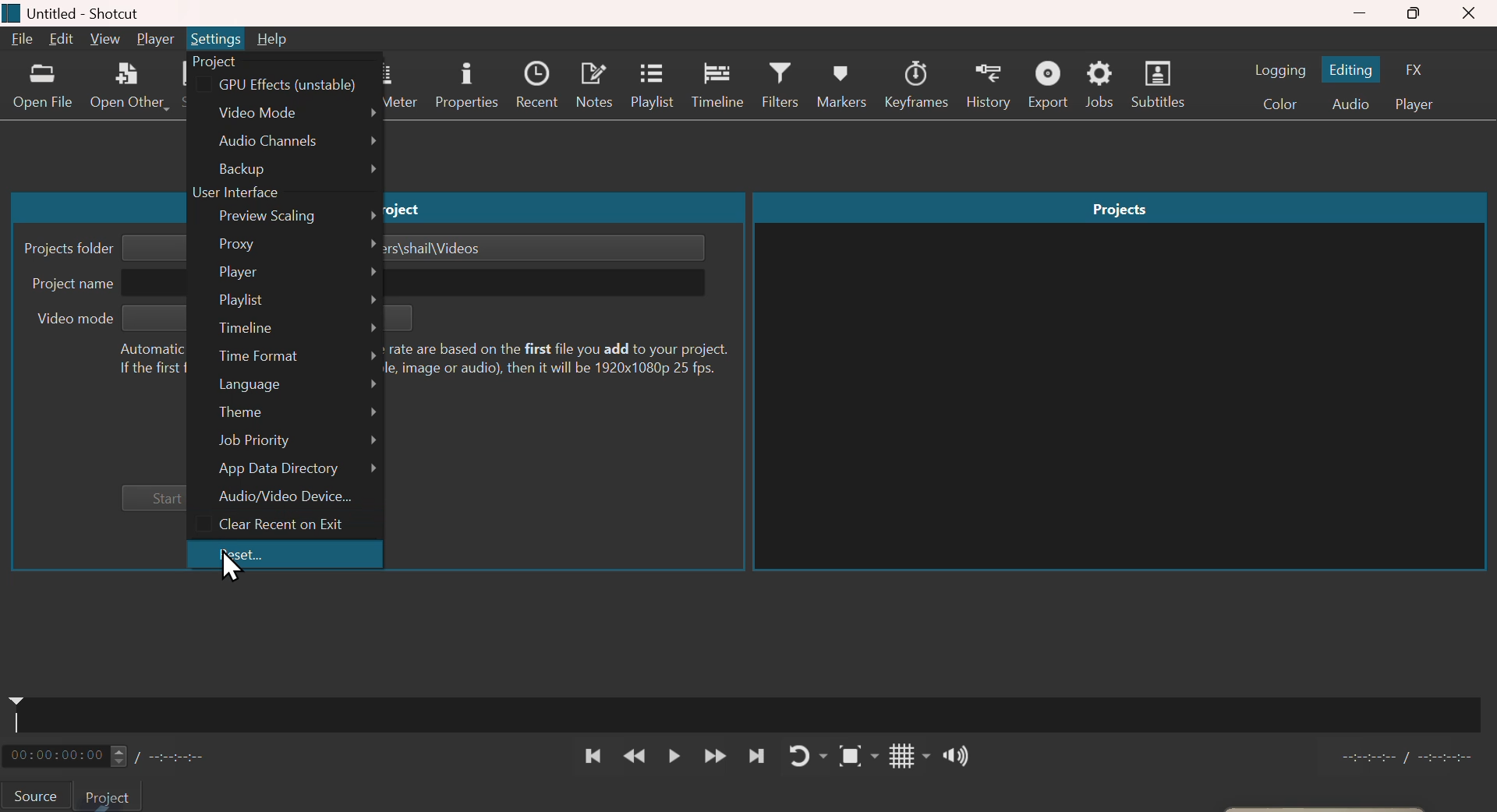 This screenshot has width=1497, height=812. What do you see at coordinates (804, 755) in the screenshot?
I see `Replay` at bounding box center [804, 755].